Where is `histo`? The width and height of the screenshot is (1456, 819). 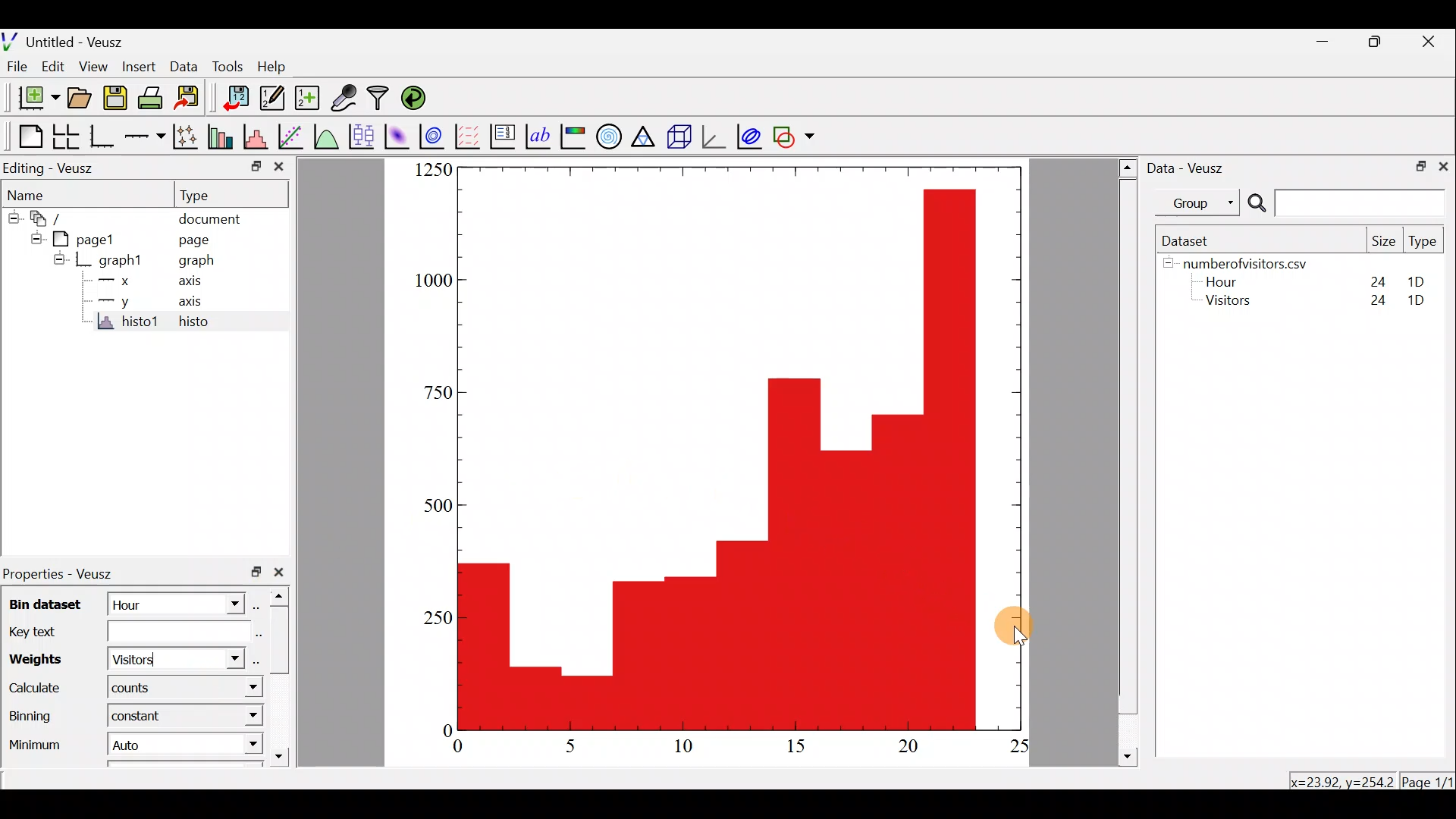
histo is located at coordinates (196, 324).